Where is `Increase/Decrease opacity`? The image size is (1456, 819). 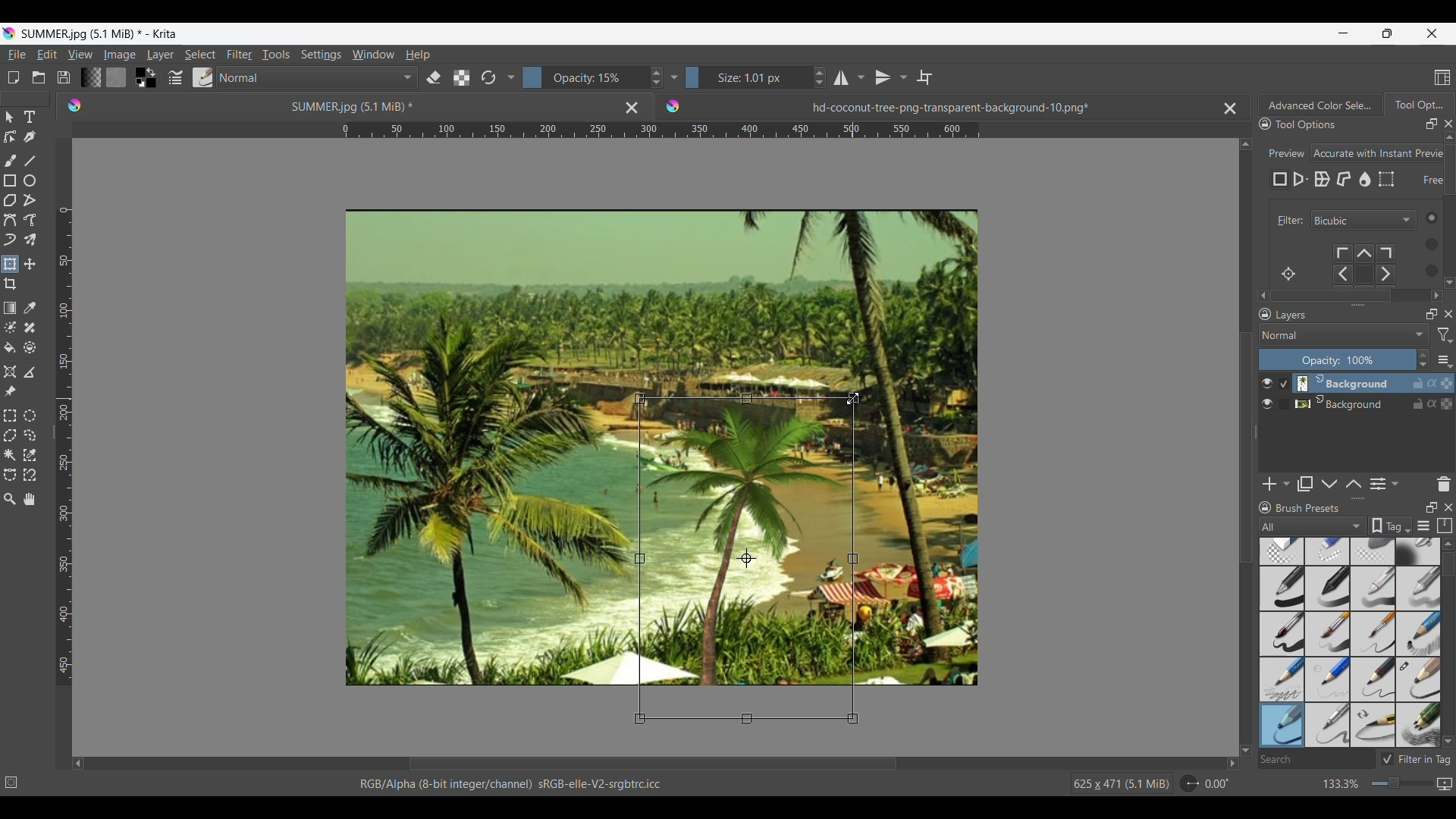 Increase/Decrease opacity is located at coordinates (1345, 359).